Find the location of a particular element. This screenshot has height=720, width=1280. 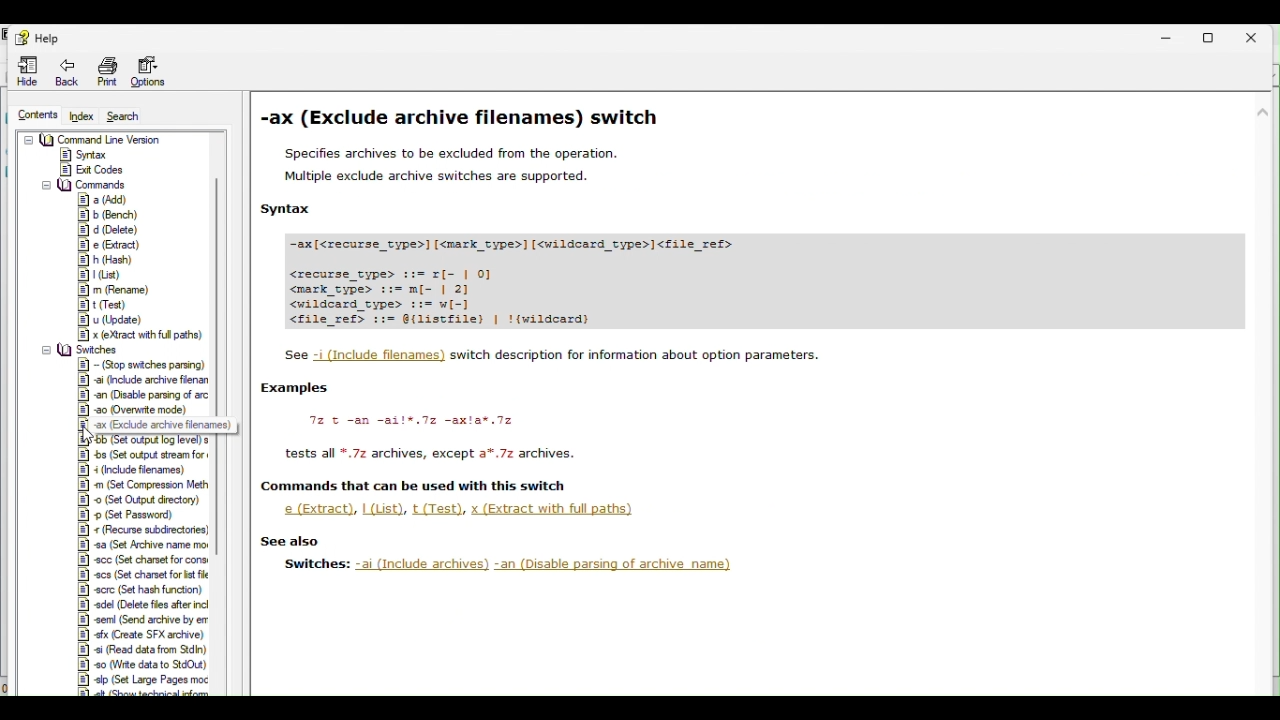

Search gur is located at coordinates (124, 116).